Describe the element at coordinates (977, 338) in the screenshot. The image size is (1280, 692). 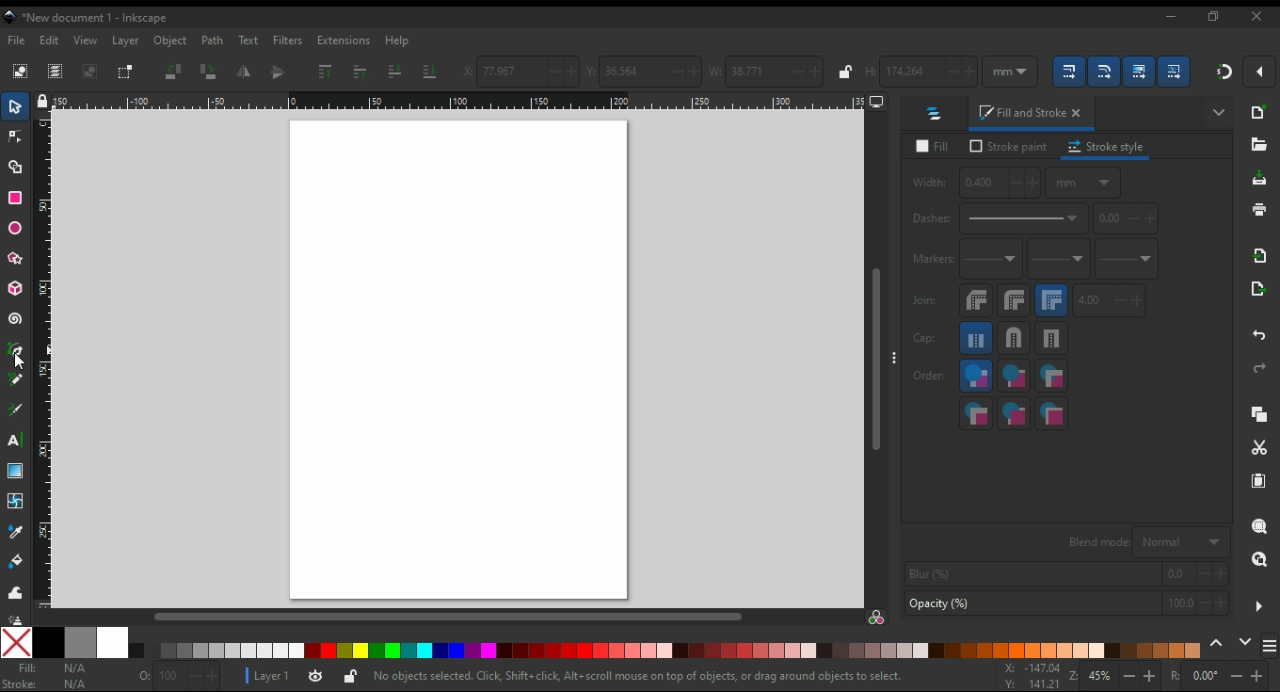
I see `butt` at that location.